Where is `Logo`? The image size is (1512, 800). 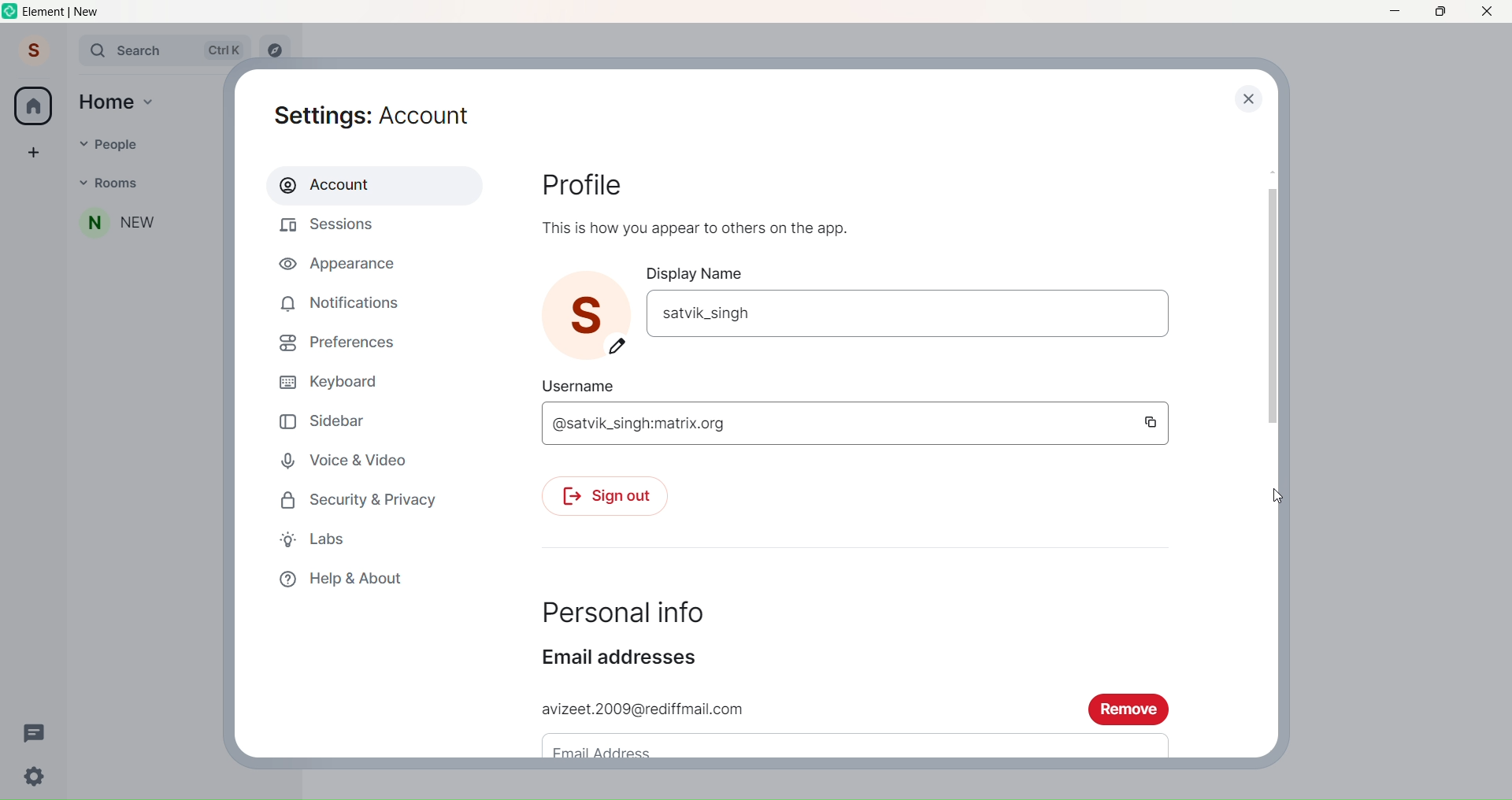
Logo is located at coordinates (9, 13).